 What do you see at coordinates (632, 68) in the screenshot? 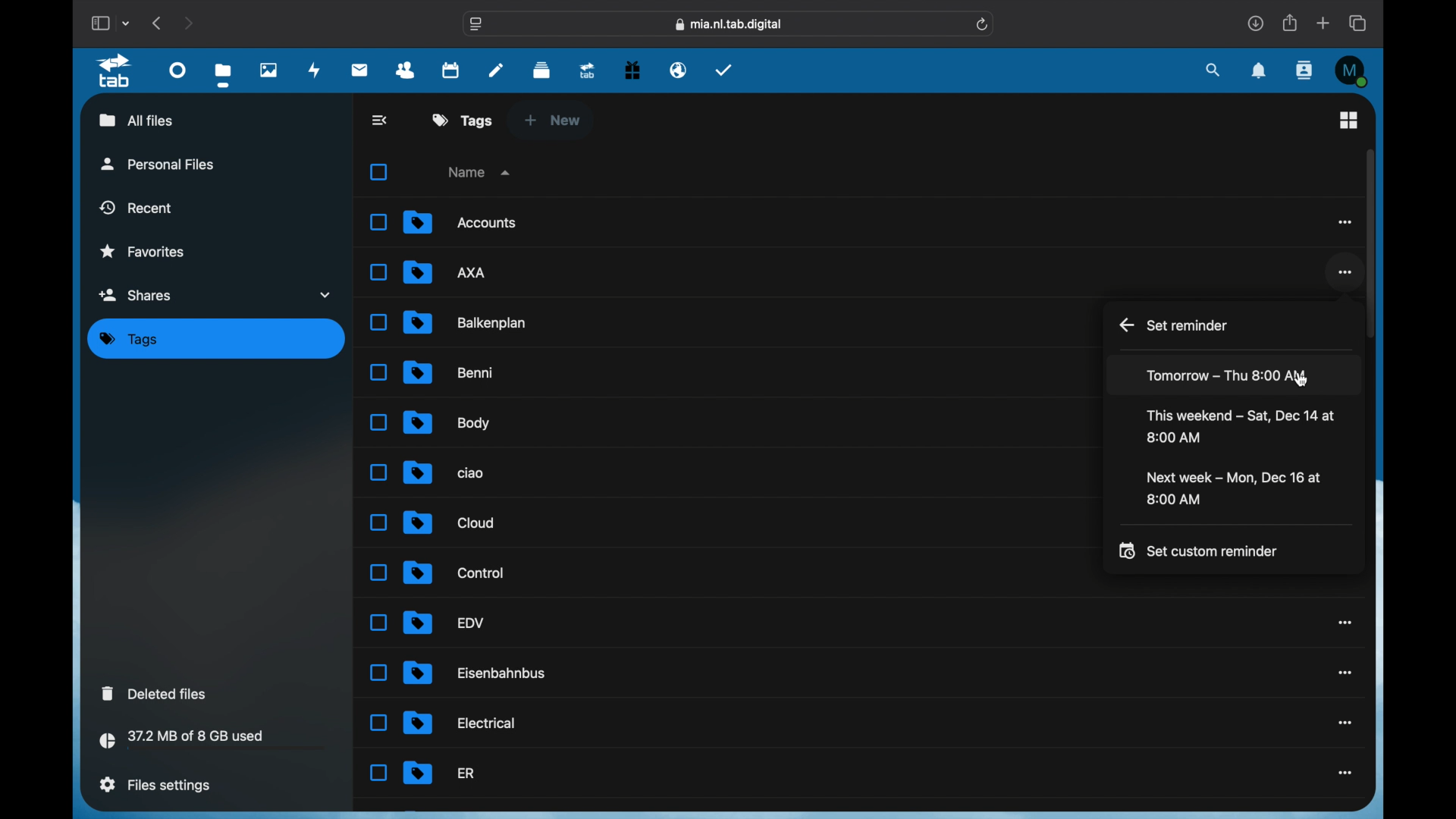
I see `free trial` at bounding box center [632, 68].